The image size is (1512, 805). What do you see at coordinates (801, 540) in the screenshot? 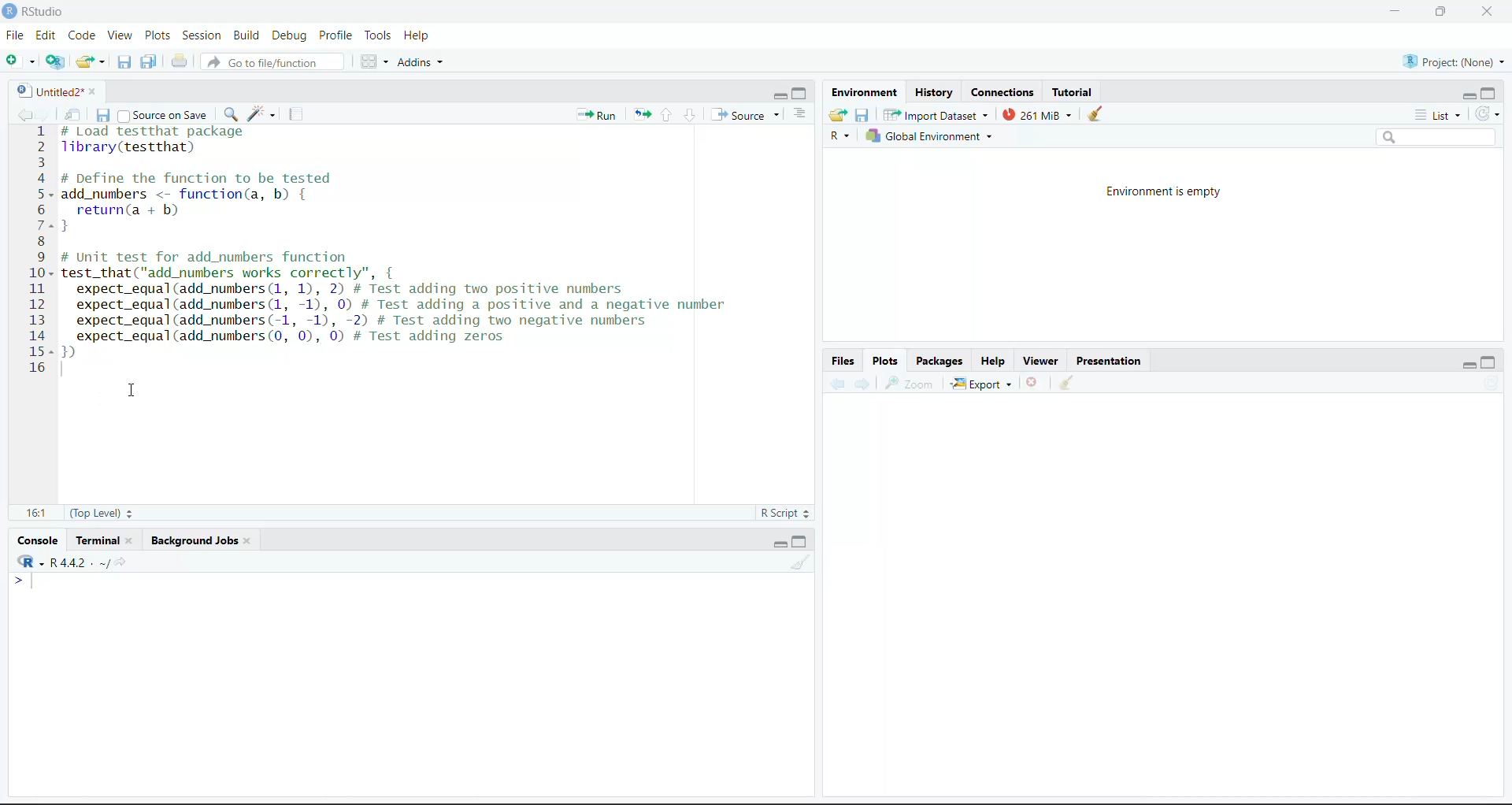
I see `maximize` at bounding box center [801, 540].